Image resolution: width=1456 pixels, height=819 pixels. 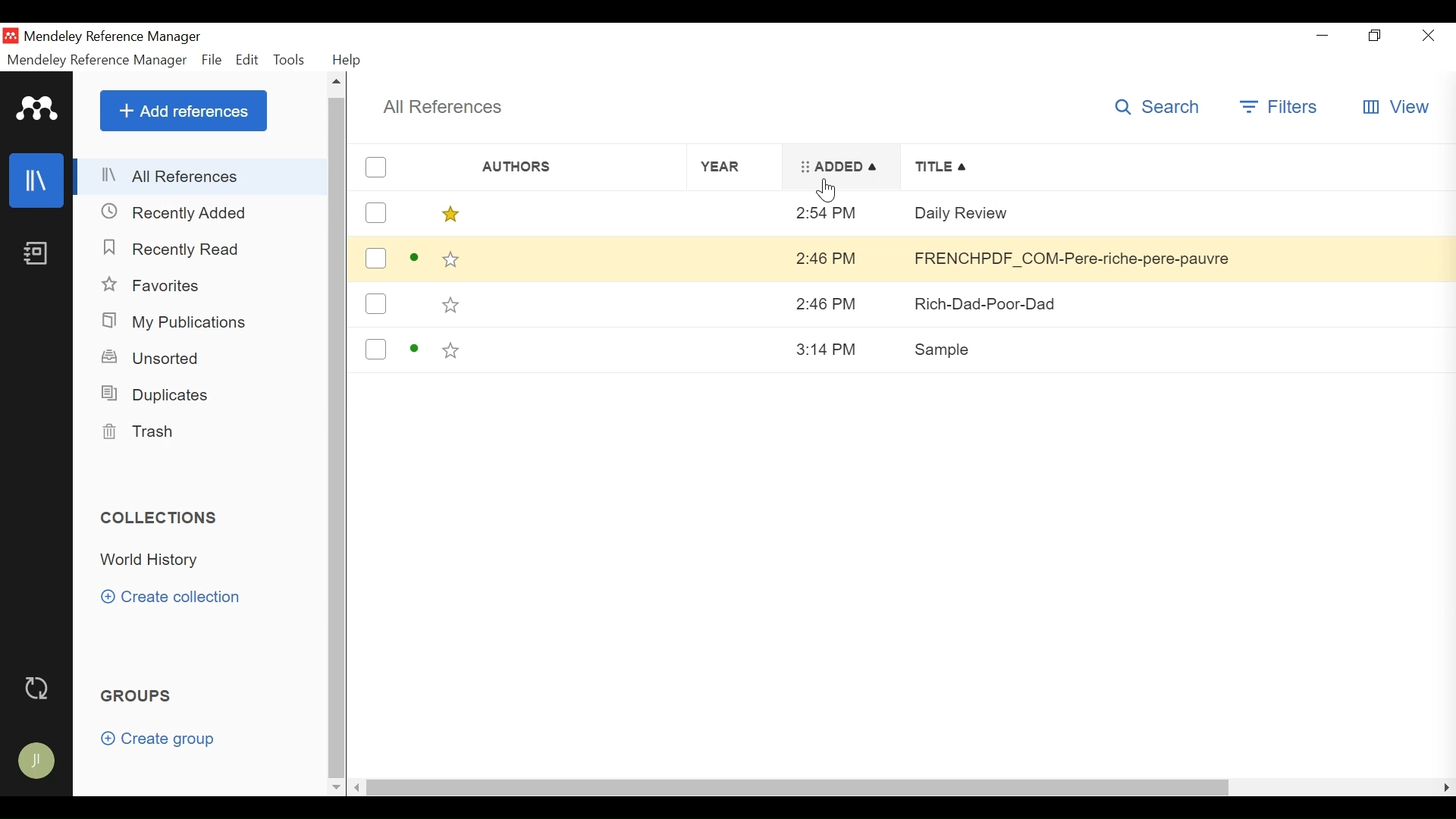 What do you see at coordinates (836, 350) in the screenshot?
I see `3:14 PM` at bounding box center [836, 350].